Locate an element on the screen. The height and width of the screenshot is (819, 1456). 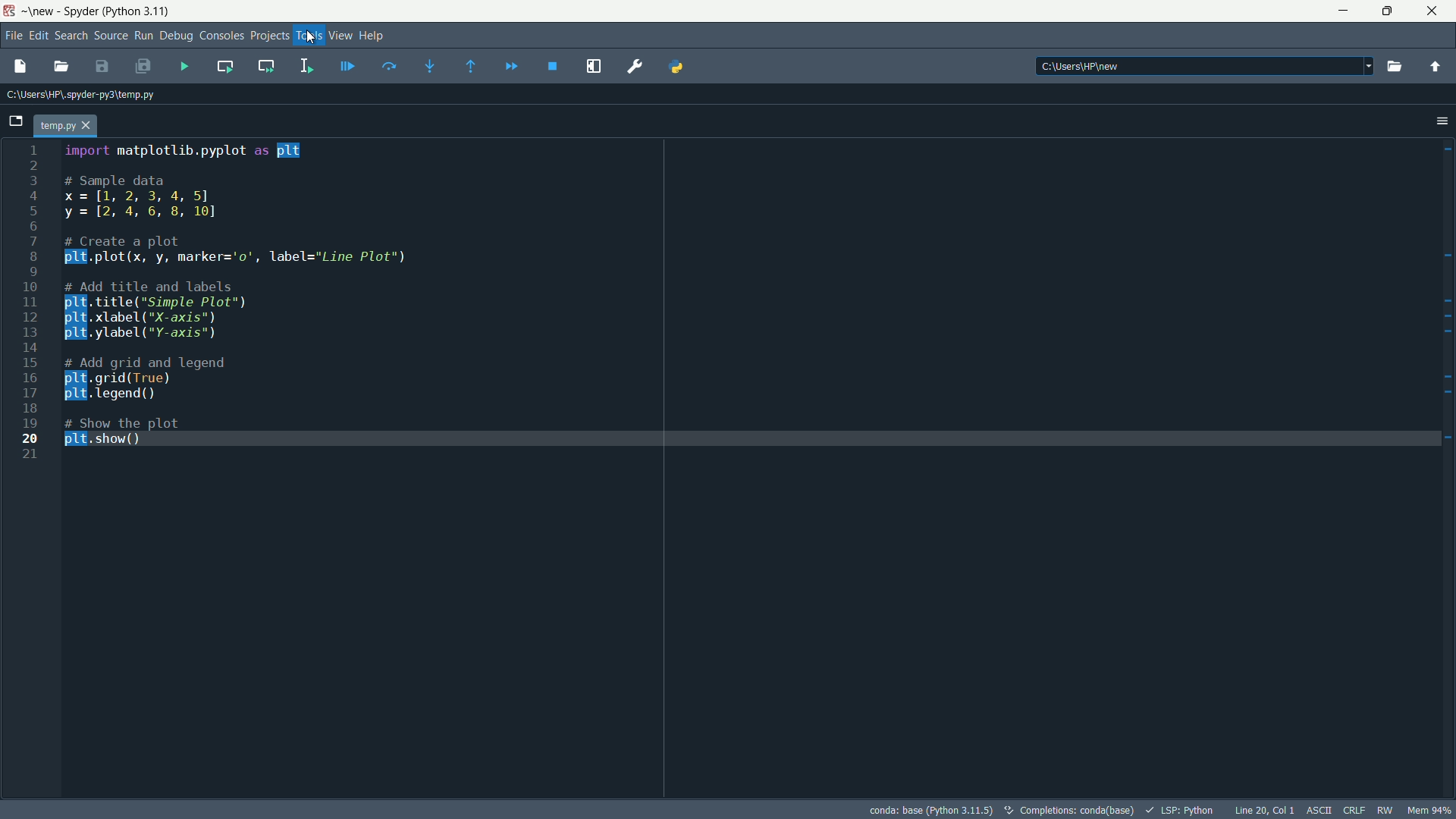
run selection is located at coordinates (307, 66).